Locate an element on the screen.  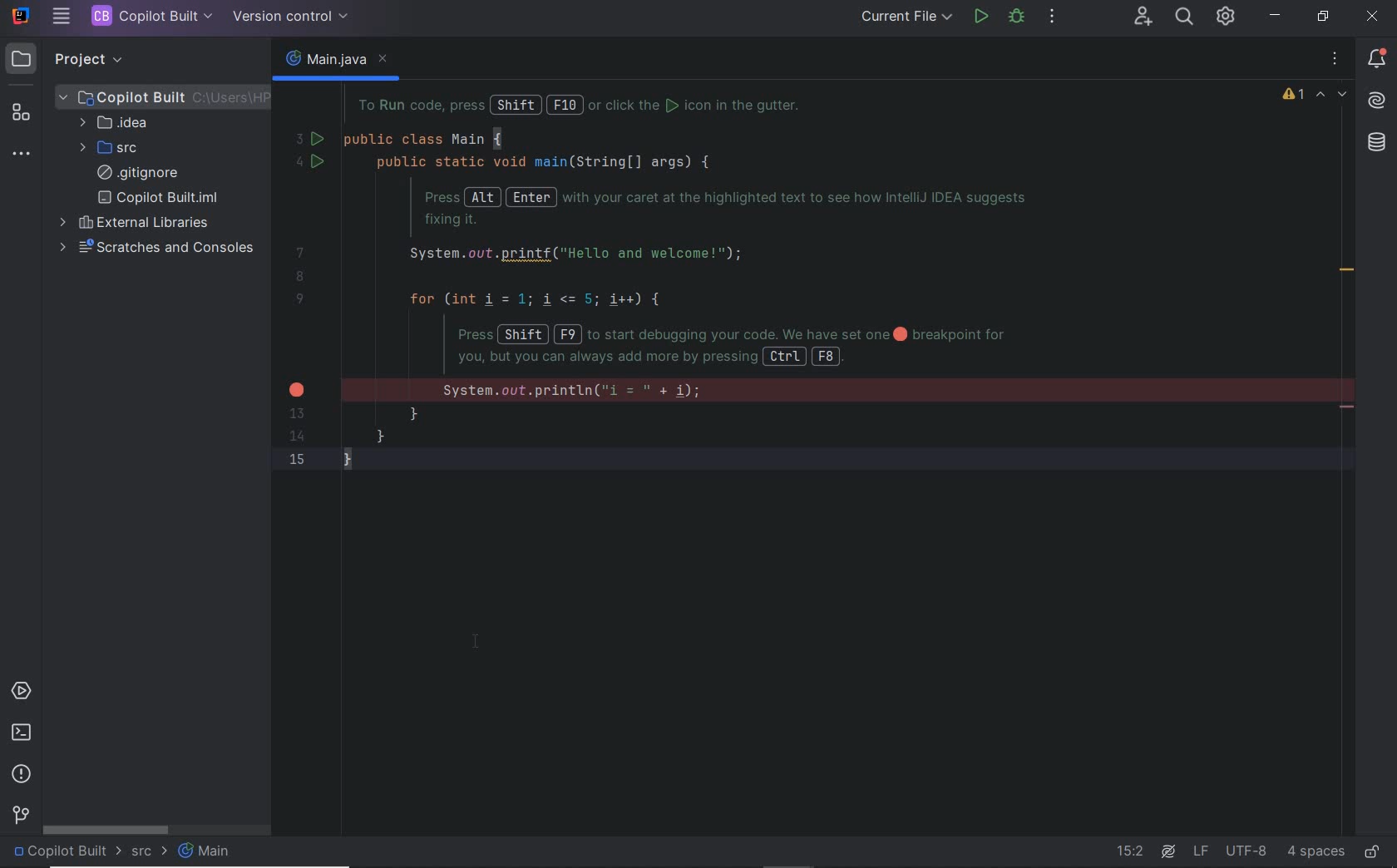
AI Assistant is located at coordinates (1167, 851).